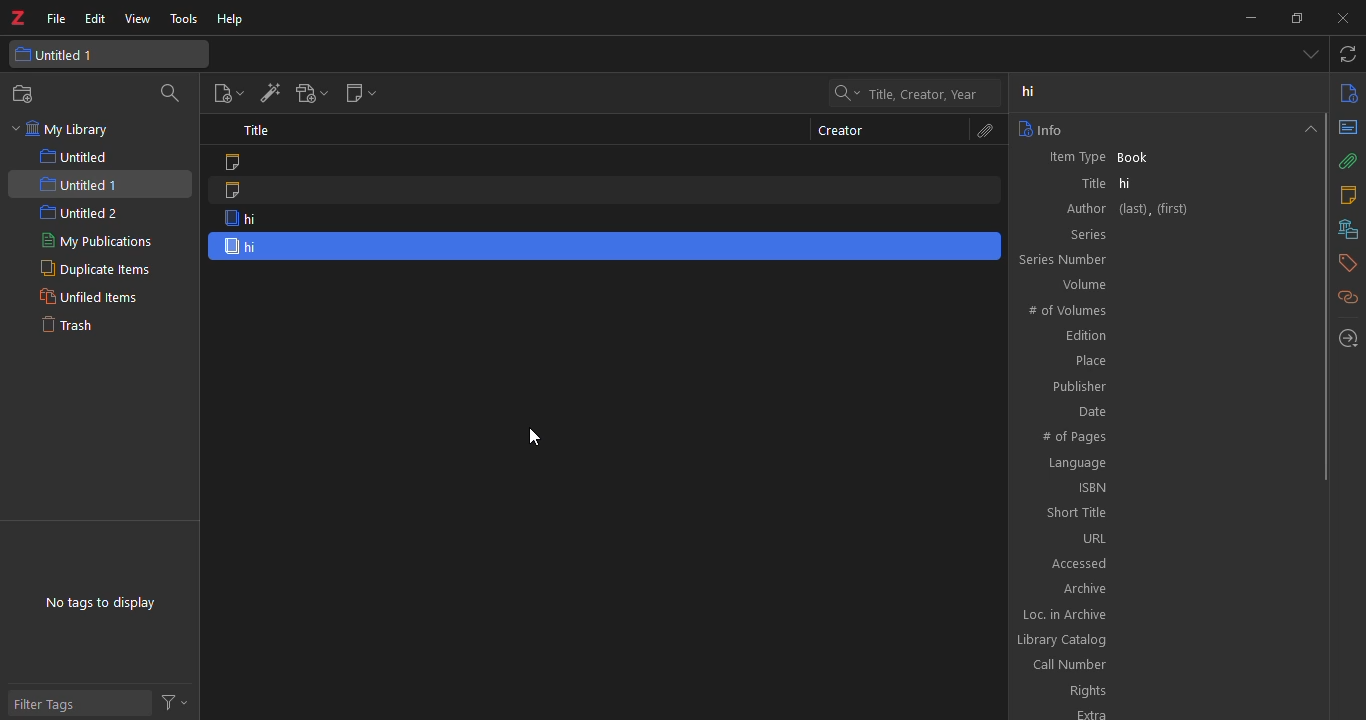 The image size is (1366, 720). Describe the element at coordinates (227, 93) in the screenshot. I see `new item` at that location.